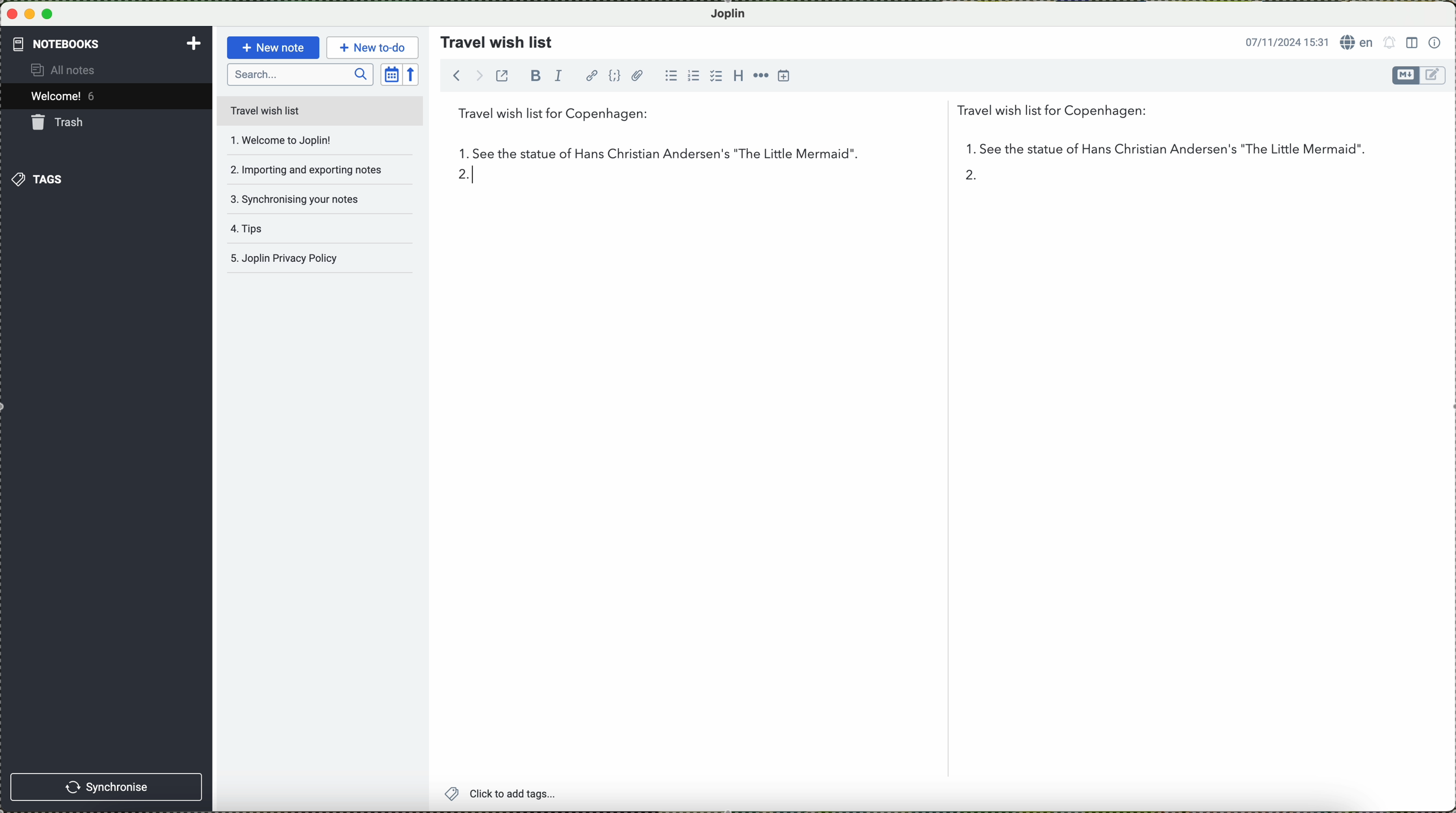 This screenshot has width=1456, height=813. Describe the element at coordinates (414, 73) in the screenshot. I see `reverse sort order` at that location.